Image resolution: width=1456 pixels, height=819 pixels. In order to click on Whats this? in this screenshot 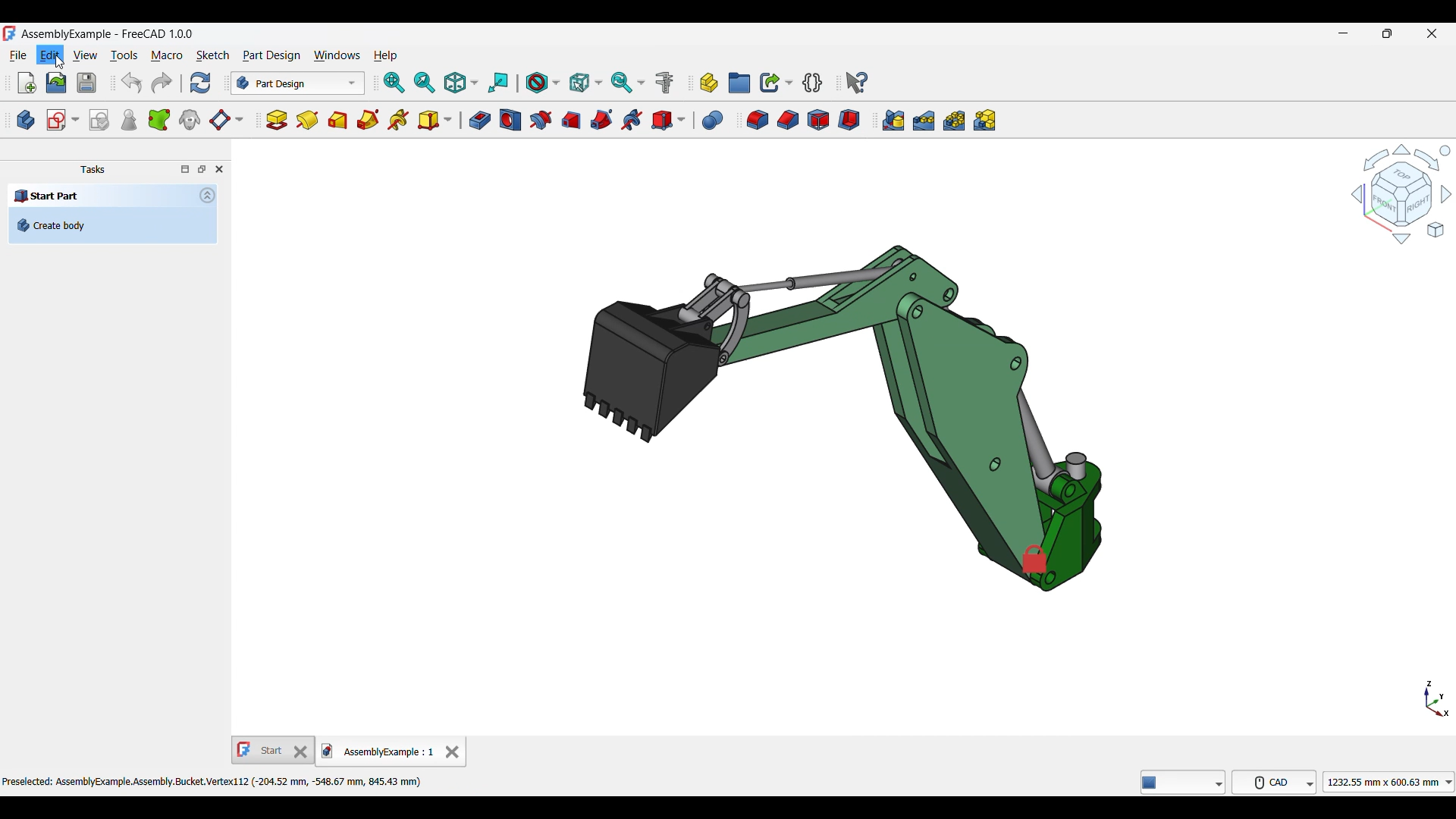, I will do `click(857, 83)`.